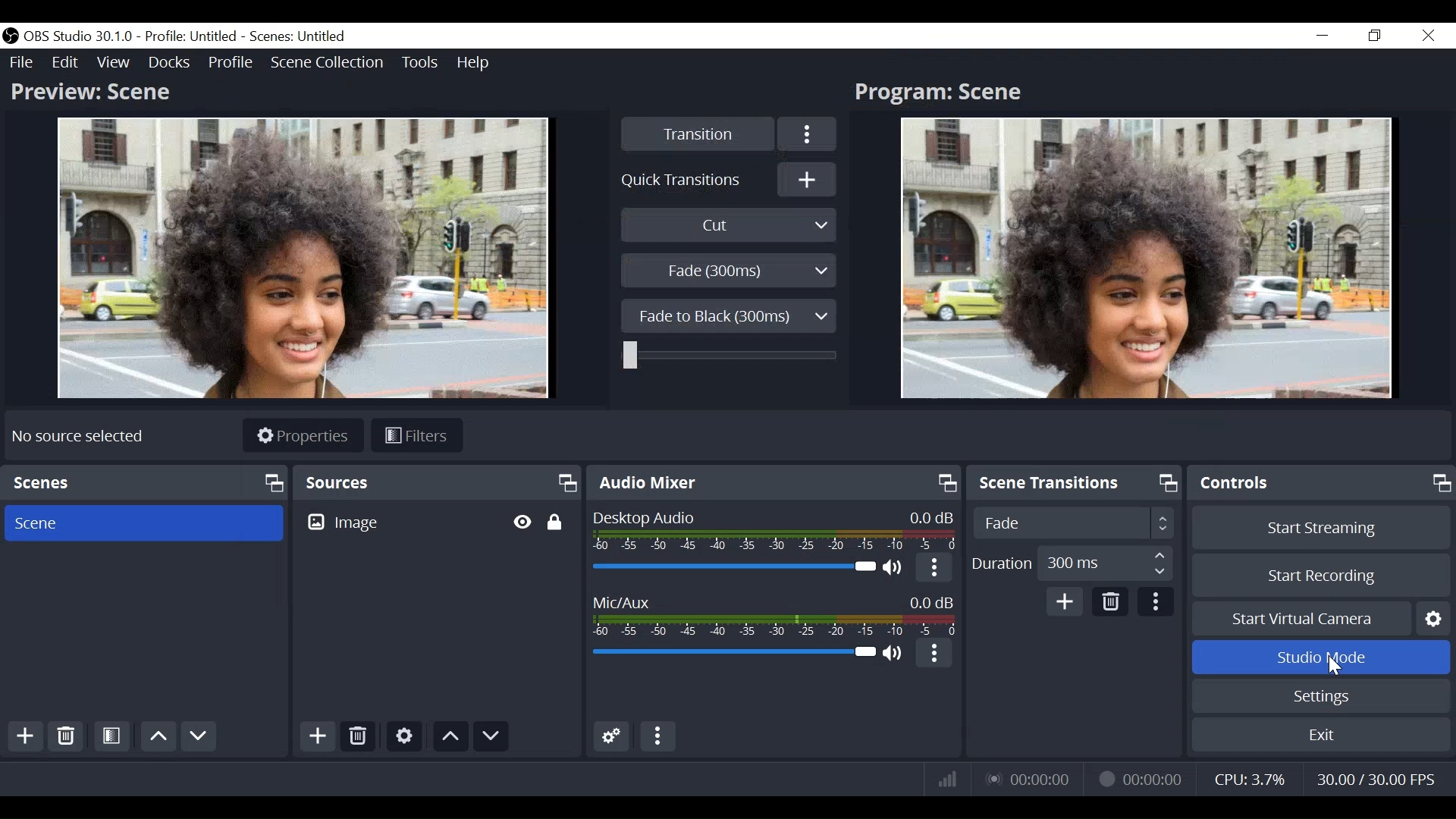  I want to click on move source up, so click(450, 736).